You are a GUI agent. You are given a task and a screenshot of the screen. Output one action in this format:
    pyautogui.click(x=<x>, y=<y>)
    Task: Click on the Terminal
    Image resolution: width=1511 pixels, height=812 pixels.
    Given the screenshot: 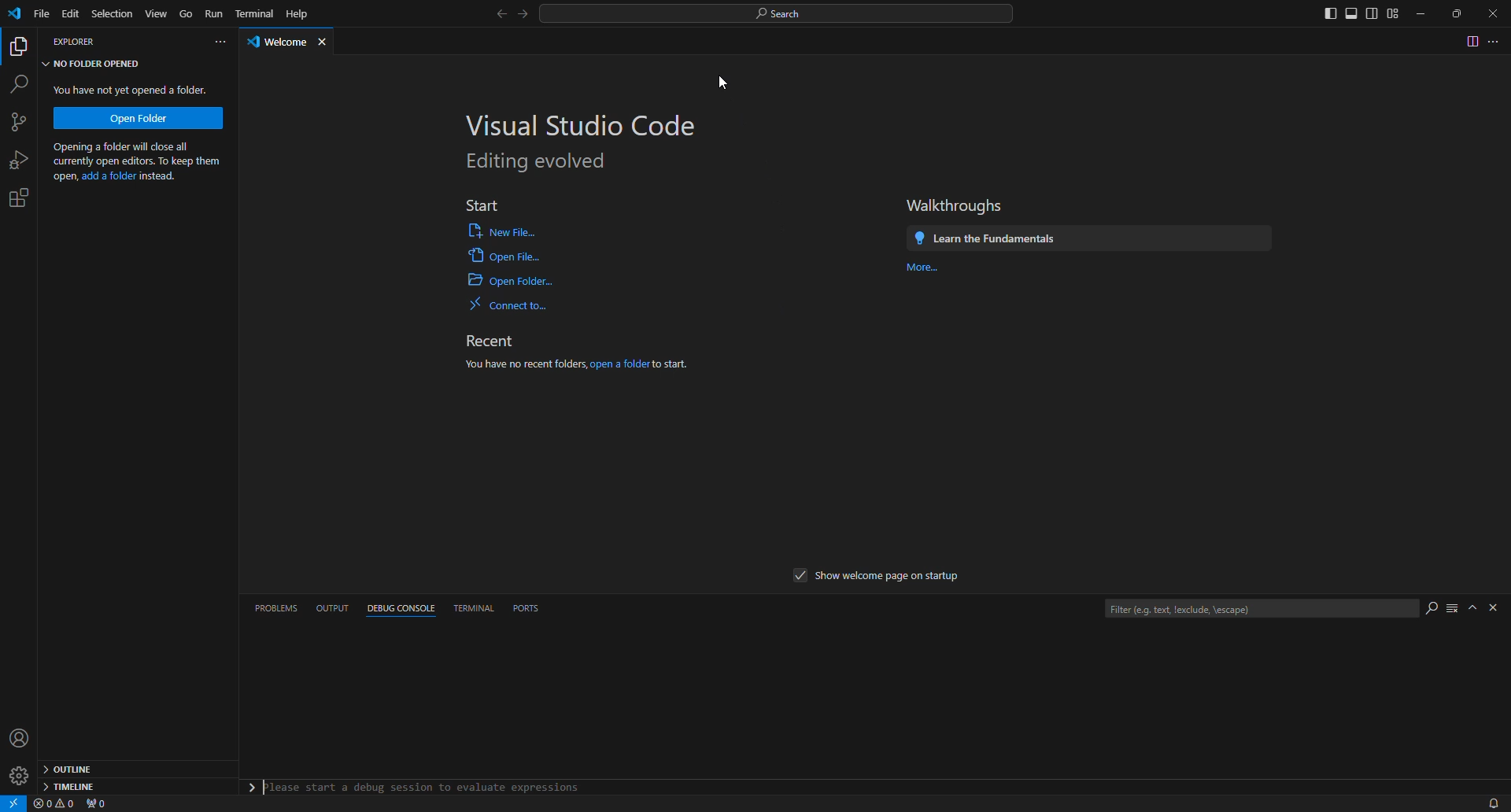 What is the action you would take?
    pyautogui.click(x=253, y=11)
    